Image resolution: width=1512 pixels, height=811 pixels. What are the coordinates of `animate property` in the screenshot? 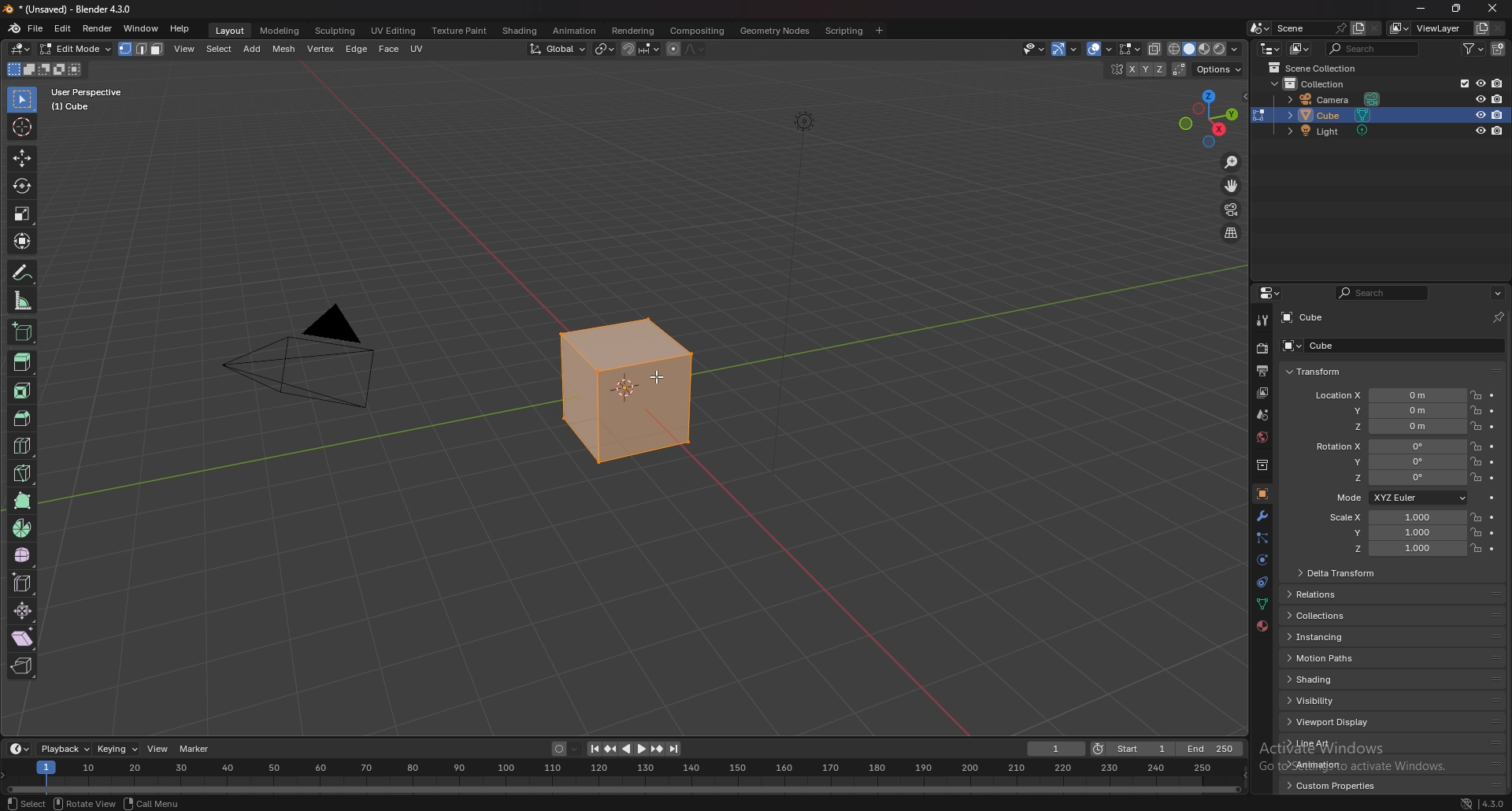 It's located at (1493, 395).